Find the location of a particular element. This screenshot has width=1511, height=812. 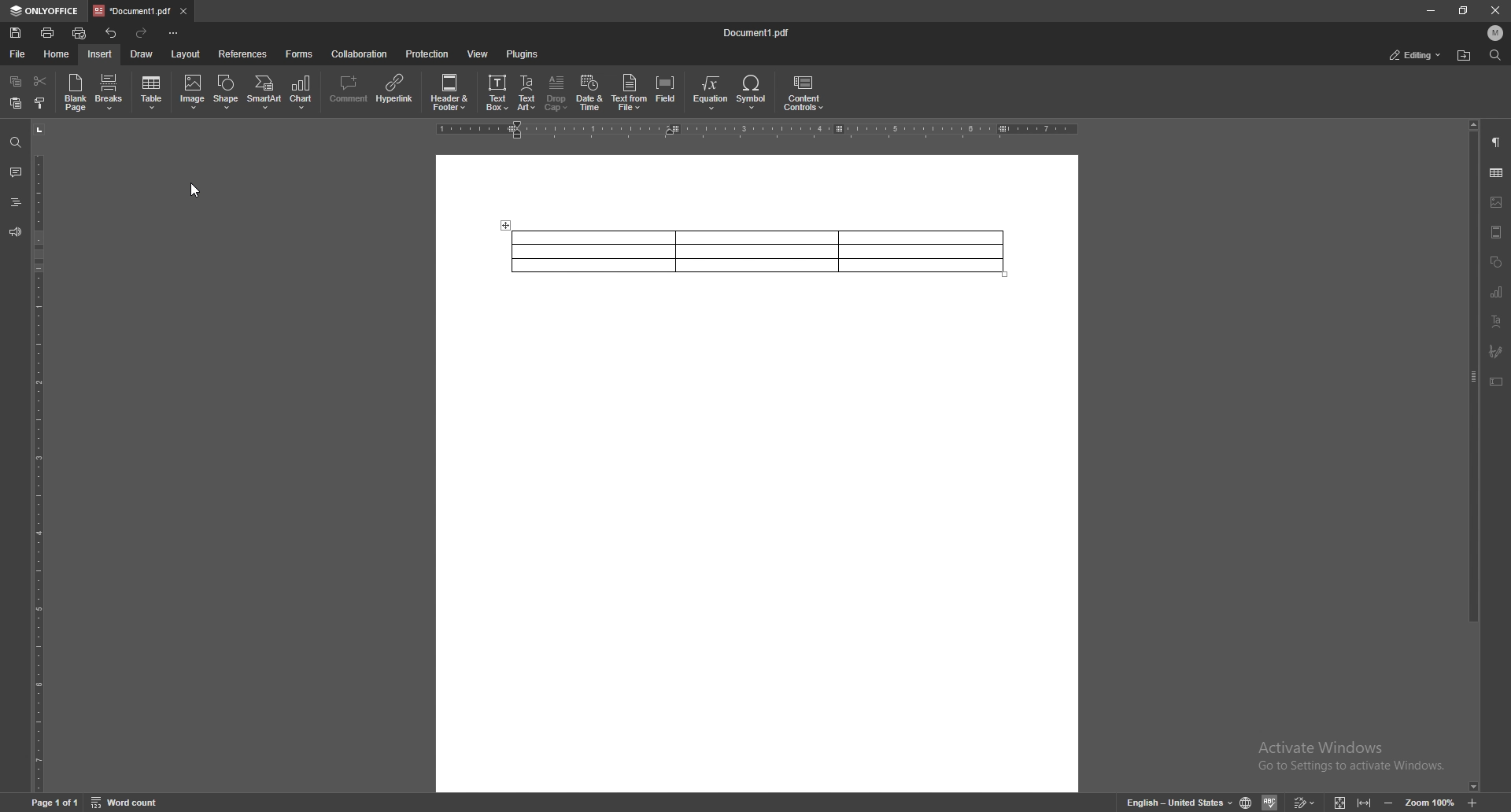

text box is located at coordinates (1498, 382).